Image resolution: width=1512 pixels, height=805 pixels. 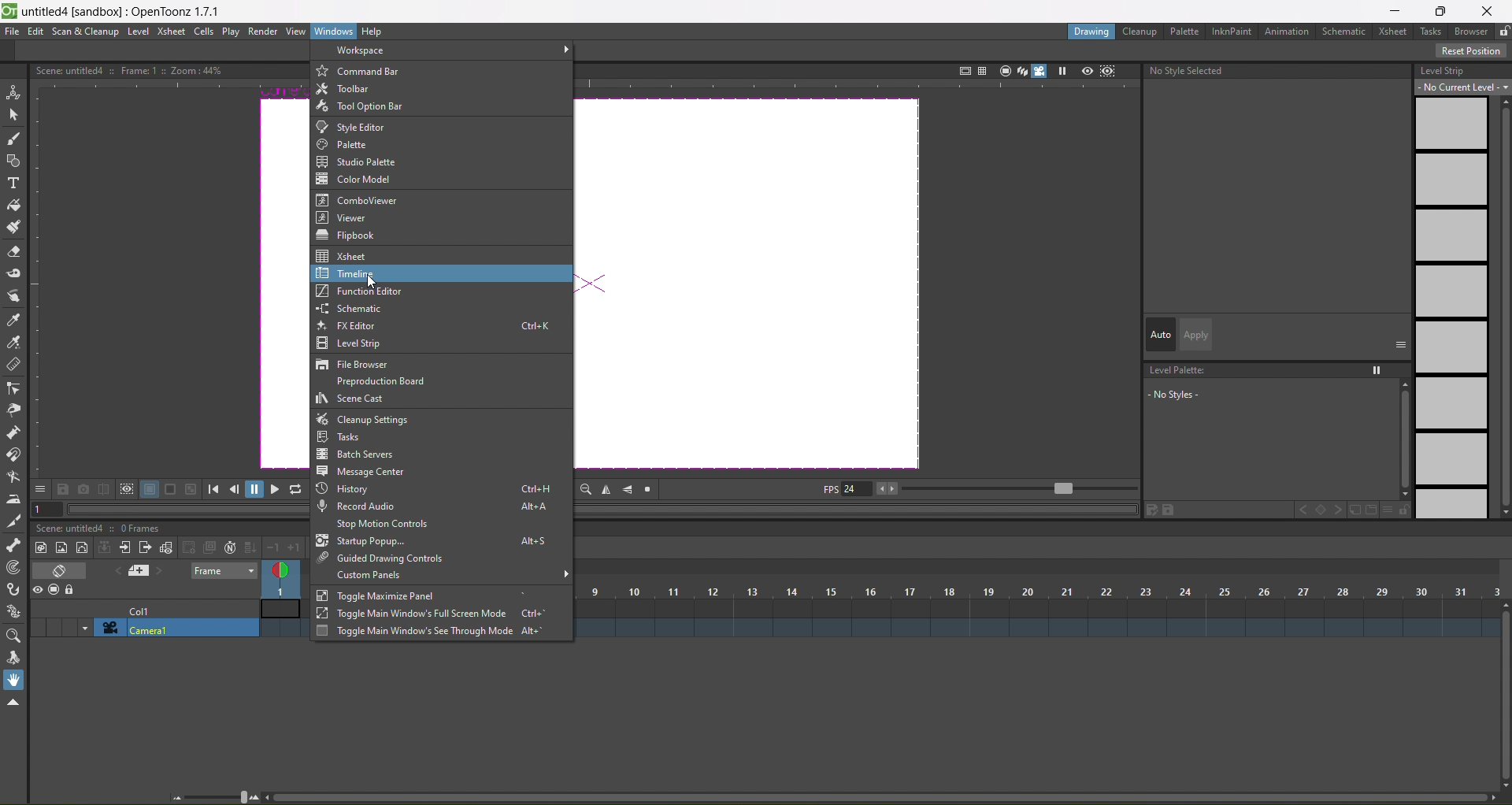 What do you see at coordinates (14, 273) in the screenshot?
I see `tape tool` at bounding box center [14, 273].